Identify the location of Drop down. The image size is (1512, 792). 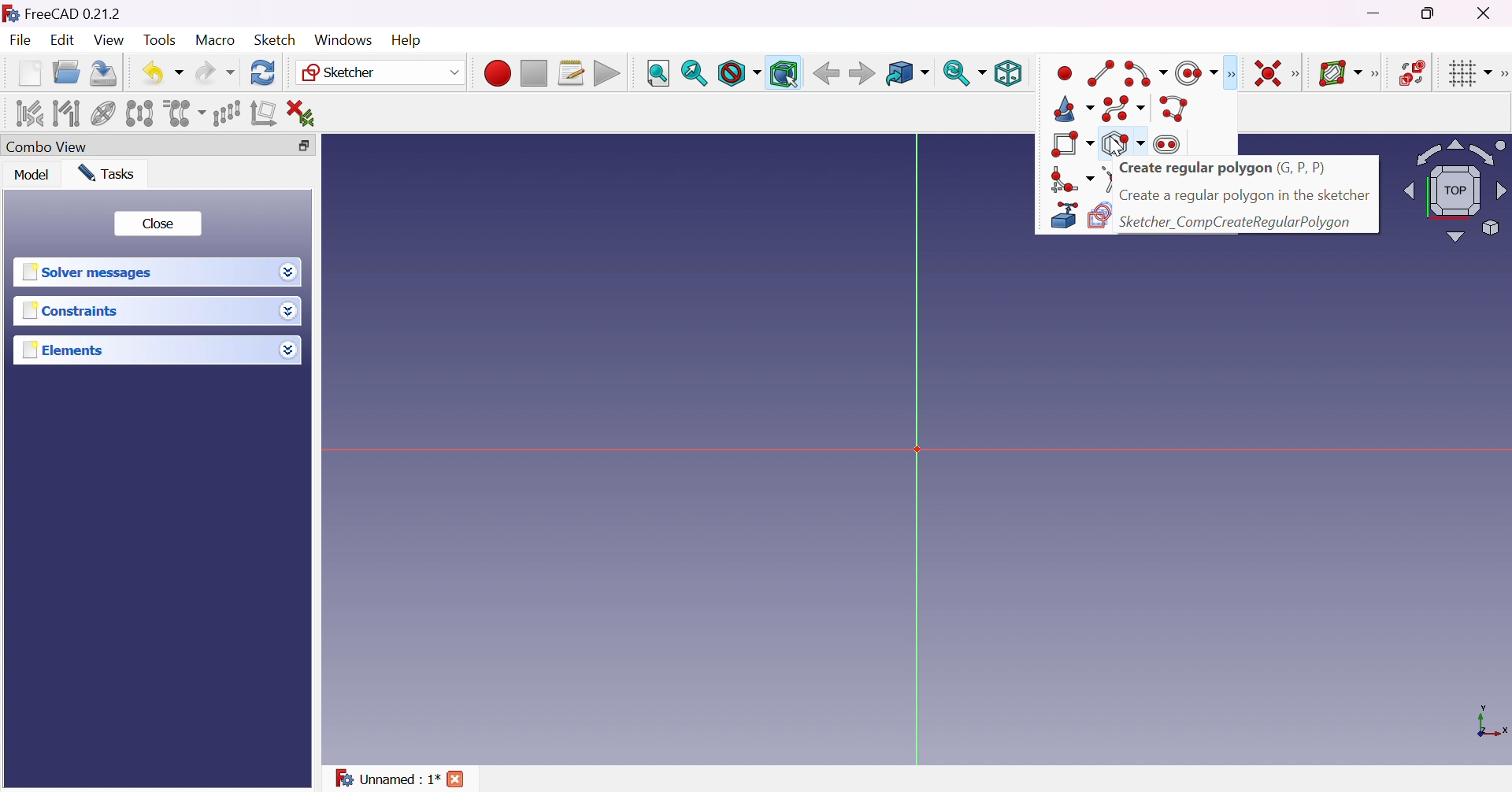
(287, 346).